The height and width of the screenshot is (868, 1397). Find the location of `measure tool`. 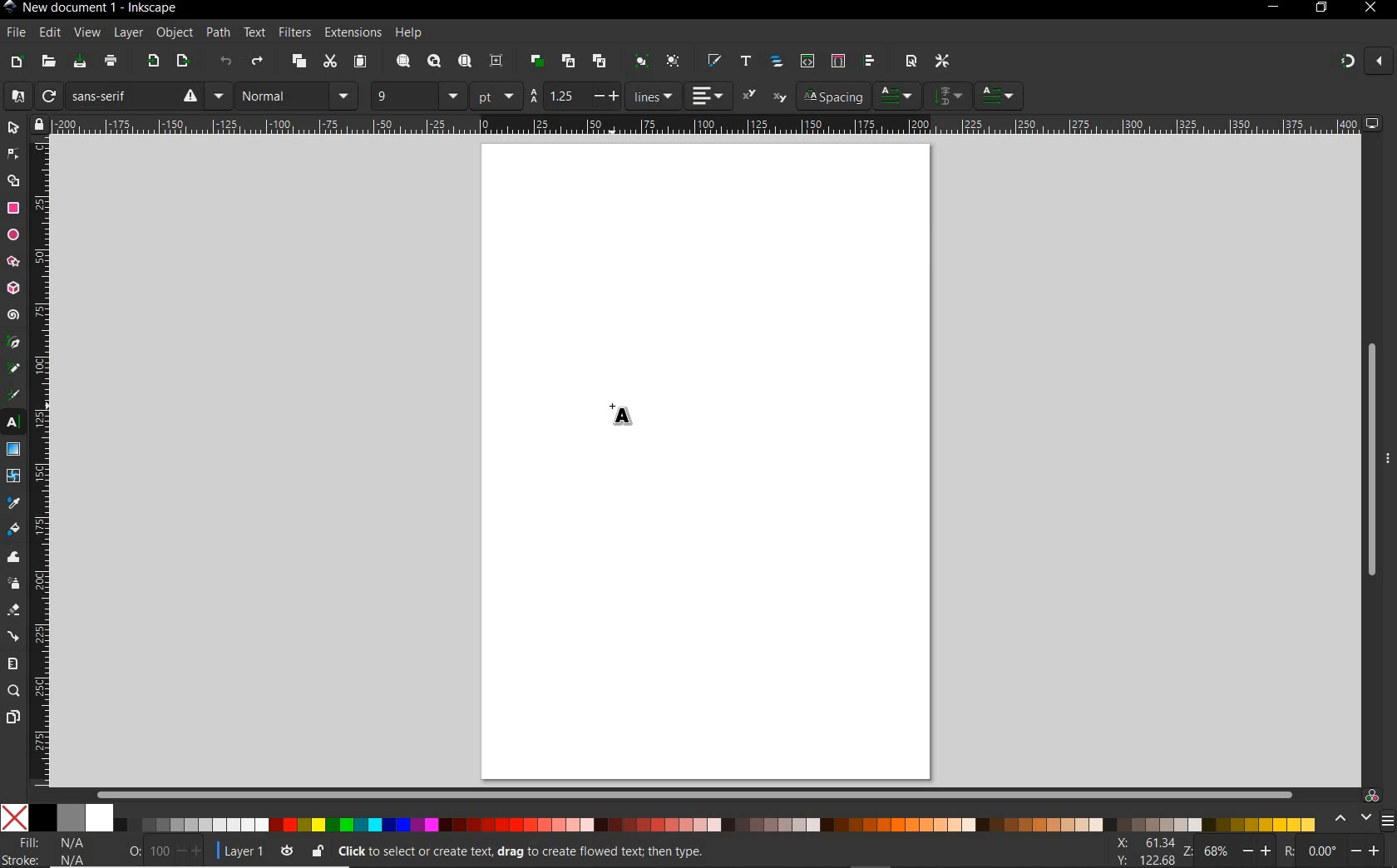

measure tool is located at coordinates (13, 663).